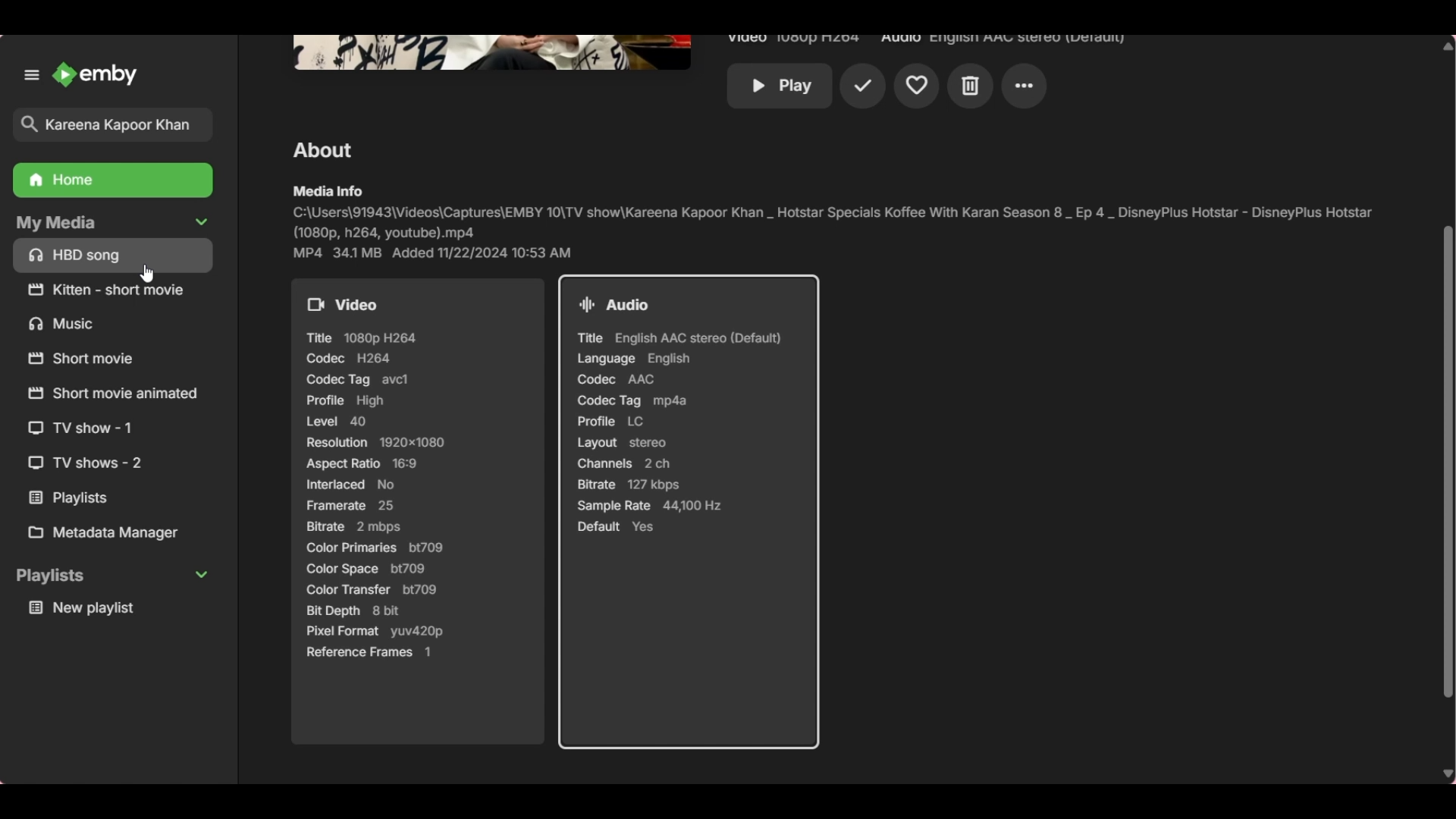 The height and width of the screenshot is (819, 1456). What do you see at coordinates (830, 446) in the screenshot?
I see `Page moved down to view complete details of tv show` at bounding box center [830, 446].